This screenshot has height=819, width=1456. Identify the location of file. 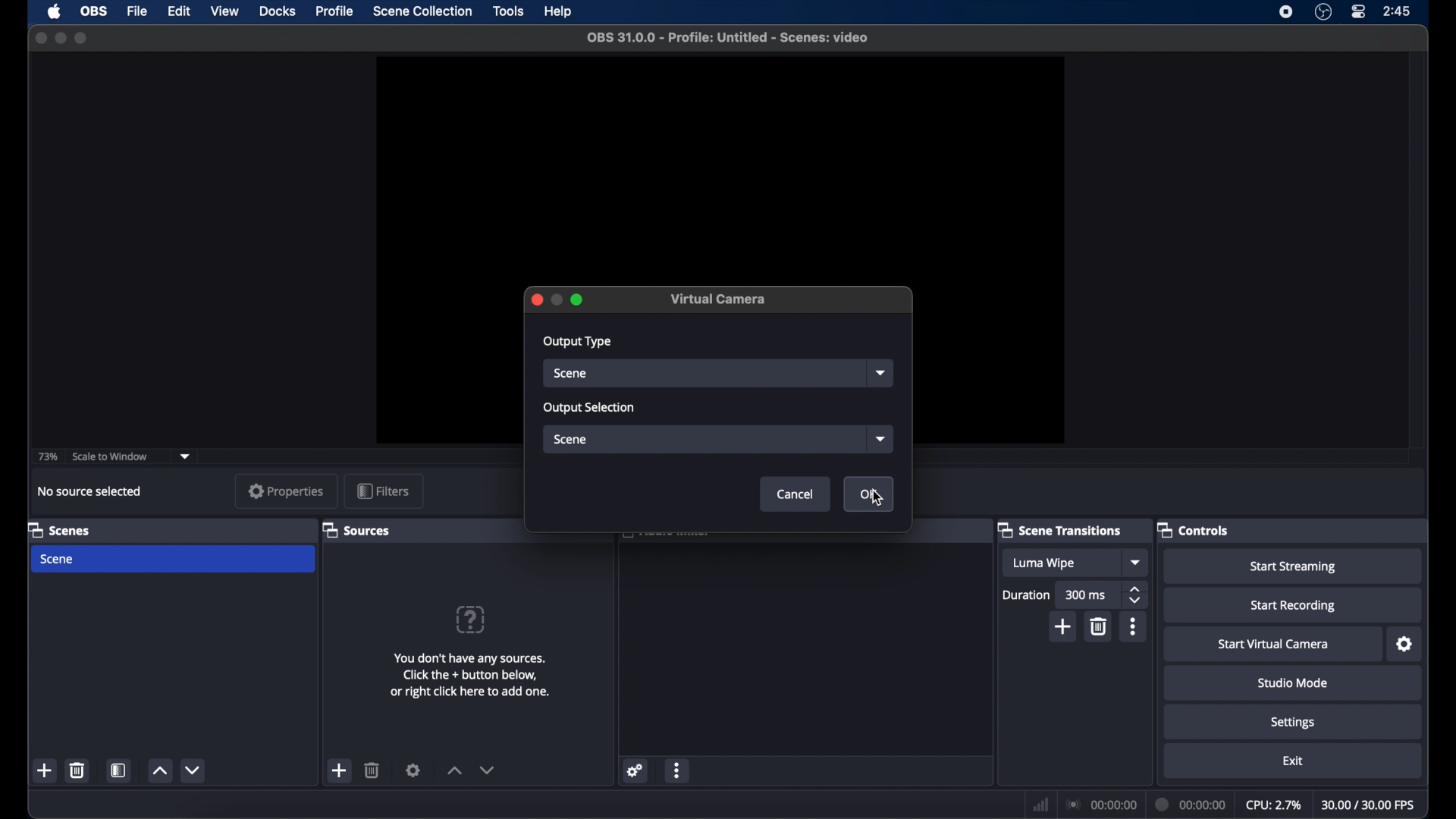
(137, 12).